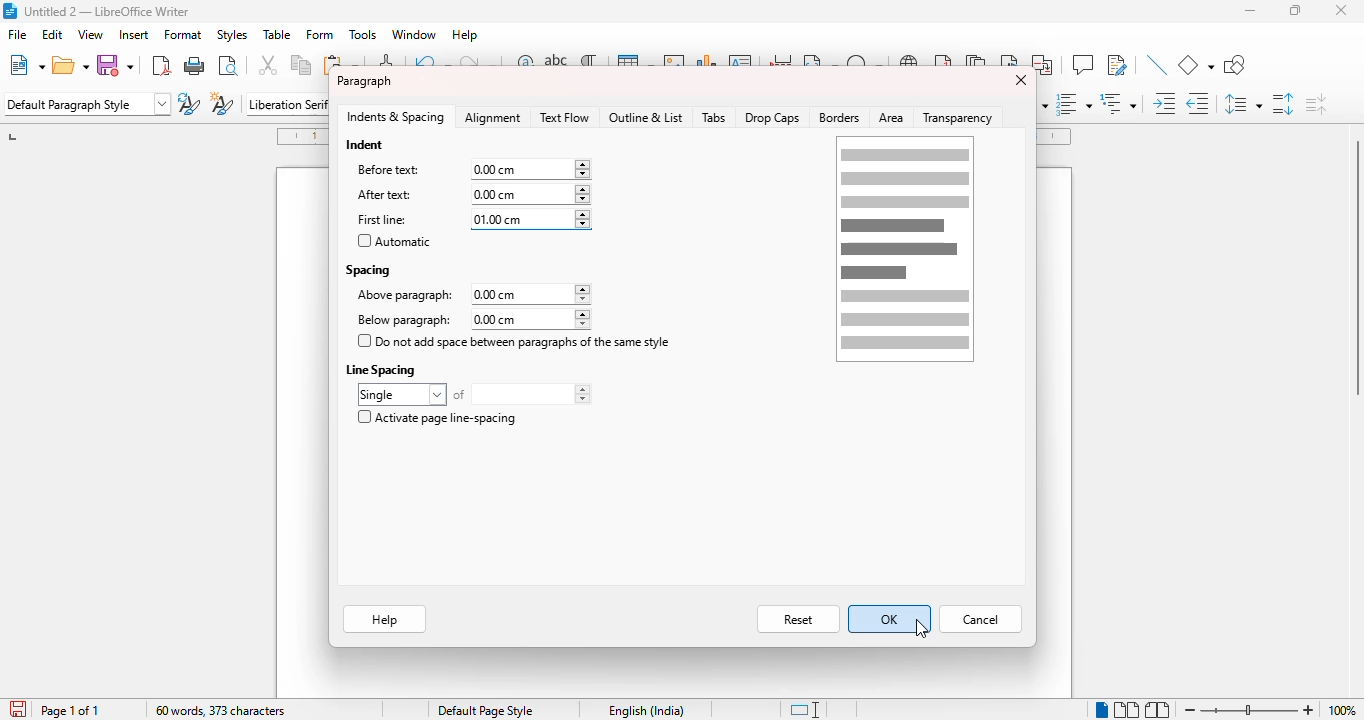 The height and width of the screenshot is (720, 1364). I want to click on help, so click(384, 621).